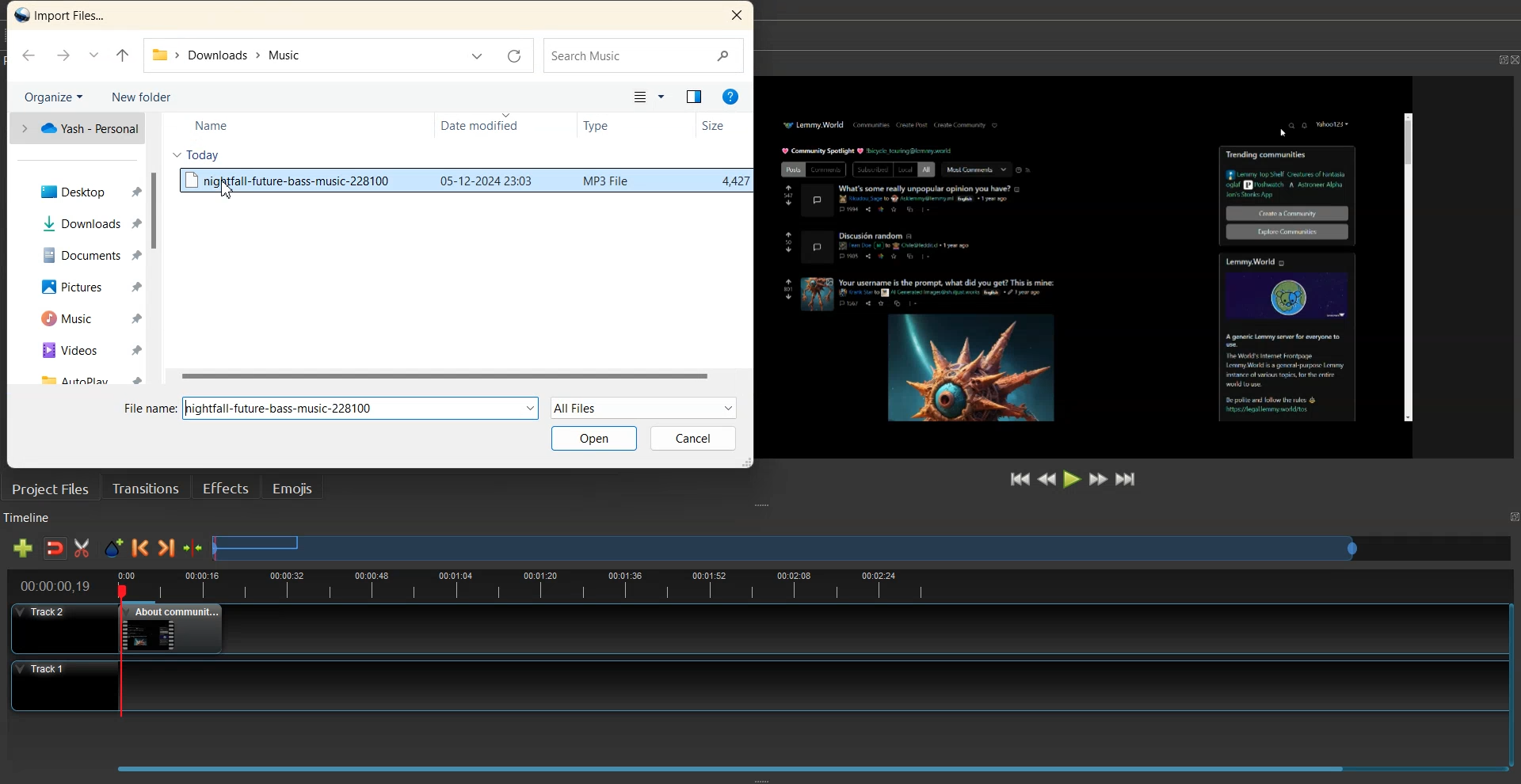  Describe the element at coordinates (238, 124) in the screenshot. I see `Name` at that location.